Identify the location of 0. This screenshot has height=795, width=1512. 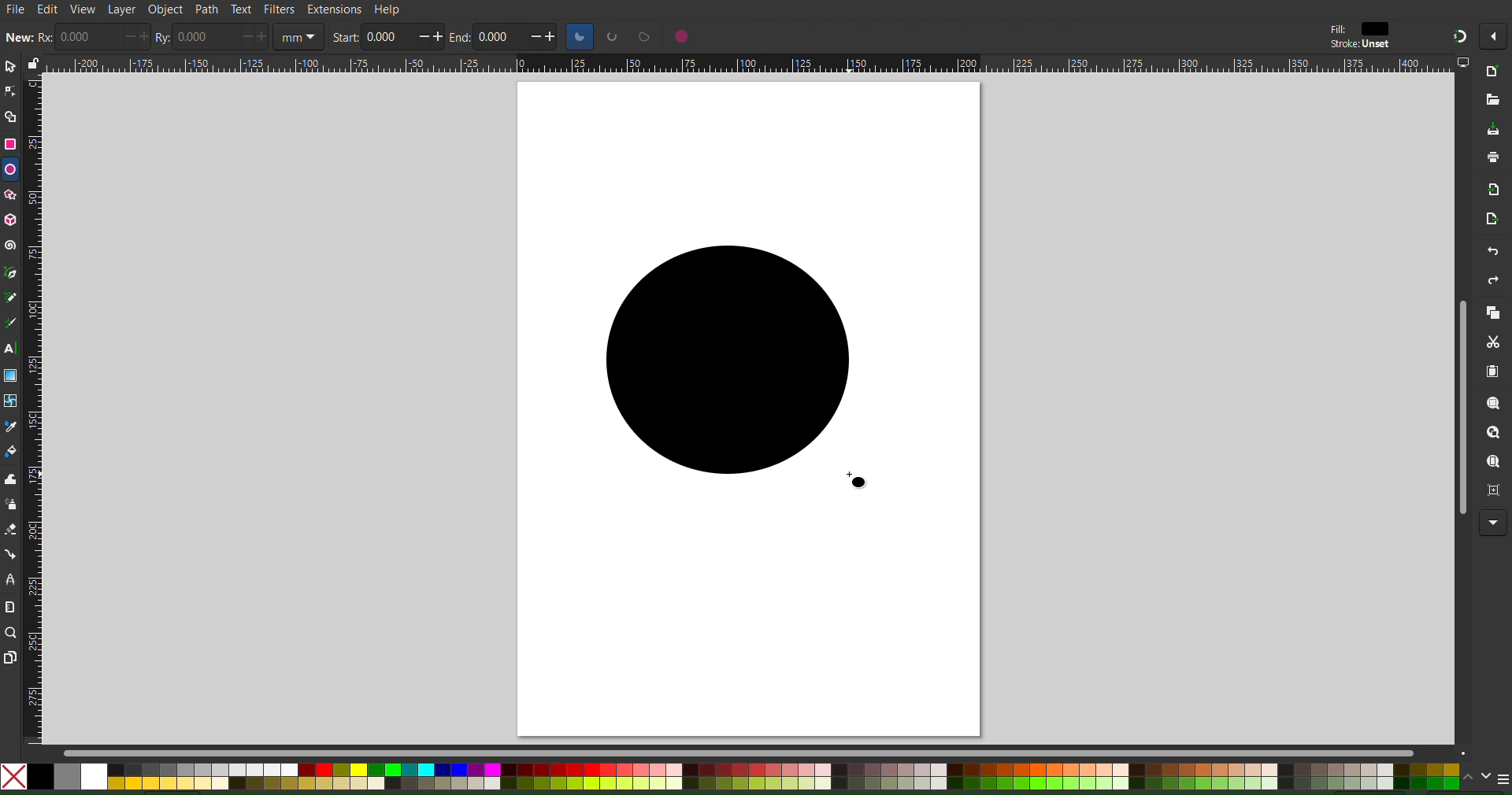
(85, 35).